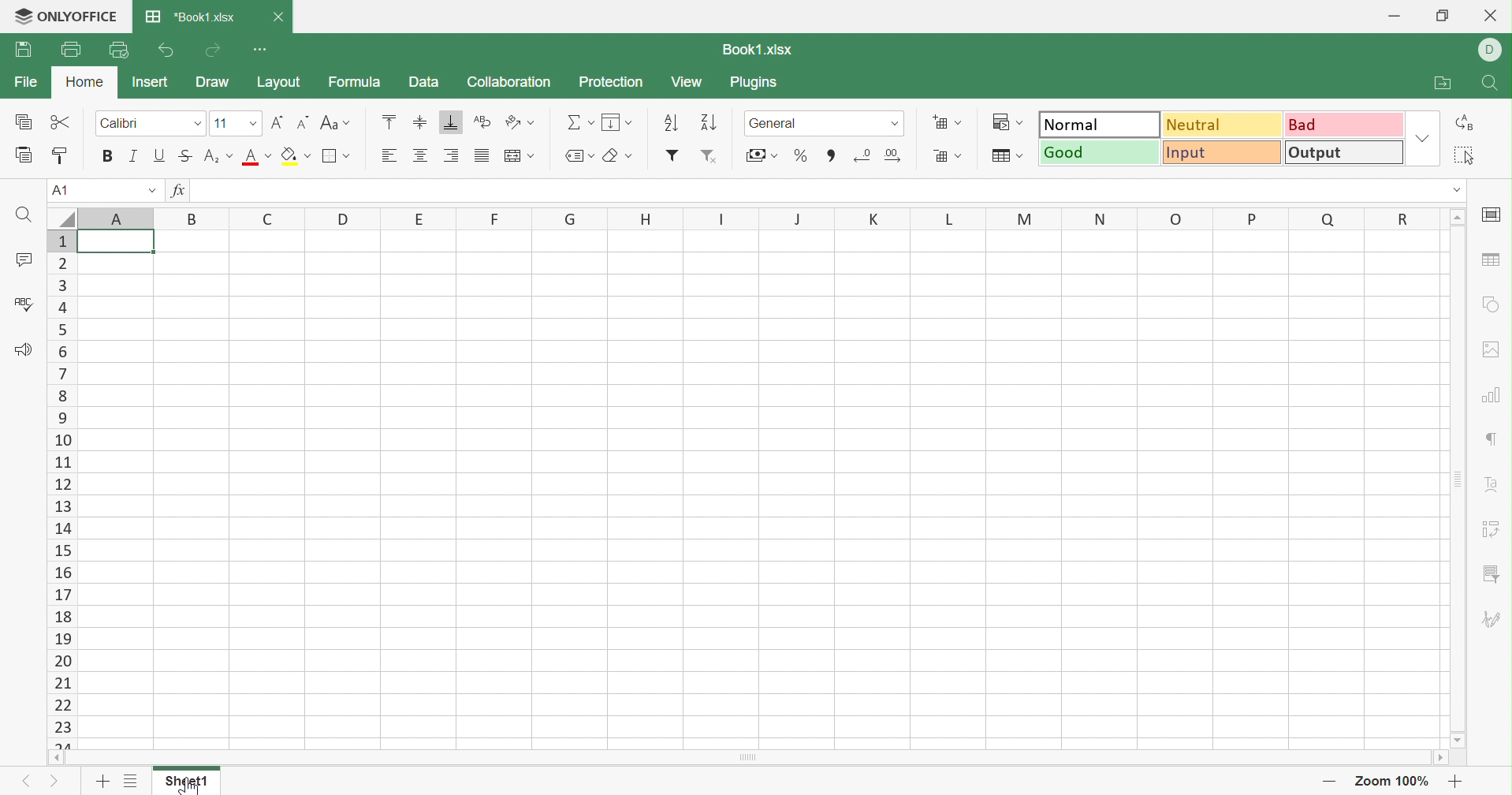  I want to click on Book.xlsx, so click(190, 15).